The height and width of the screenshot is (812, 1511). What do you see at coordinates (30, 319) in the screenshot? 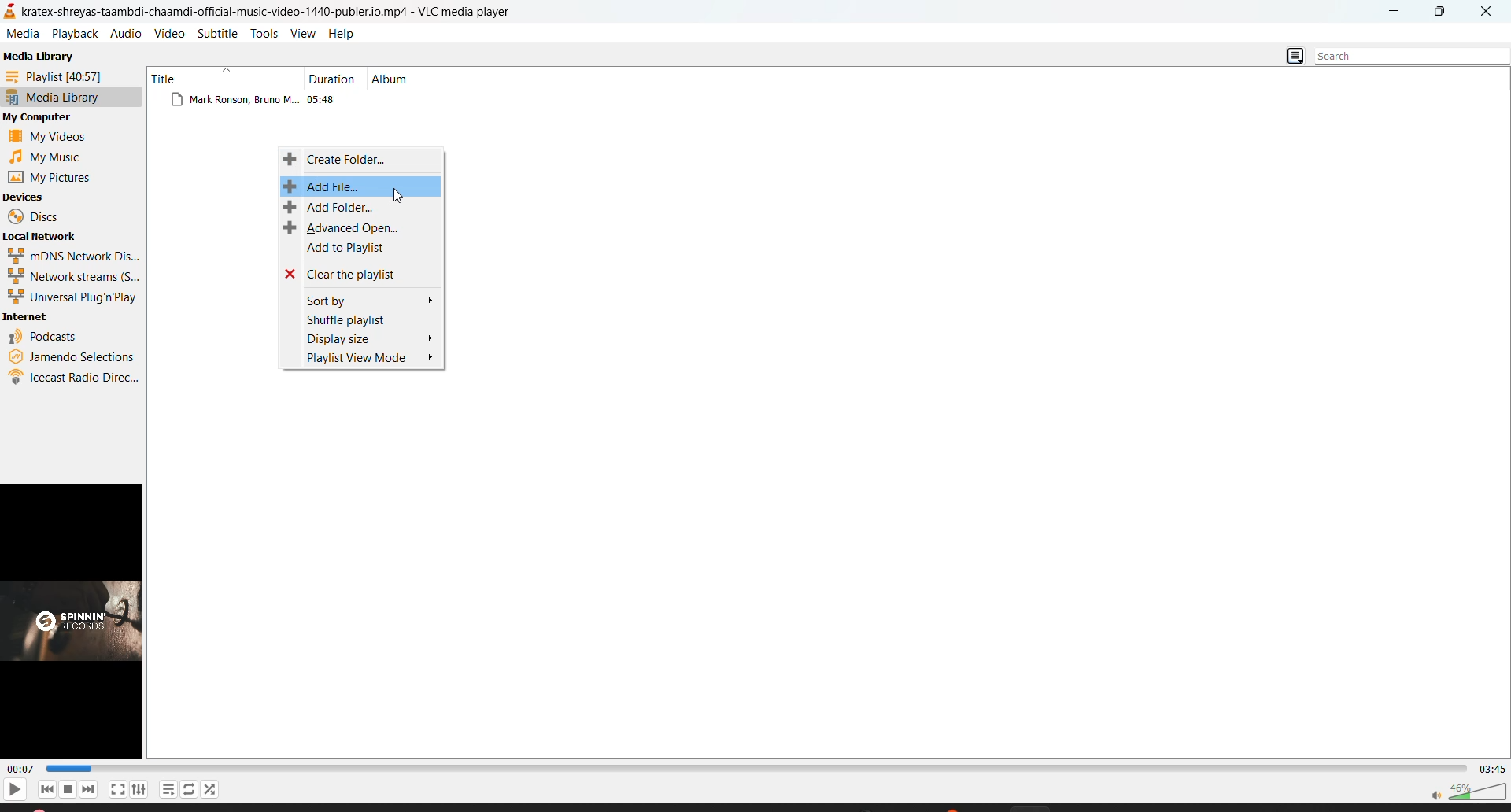
I see `internet` at bounding box center [30, 319].